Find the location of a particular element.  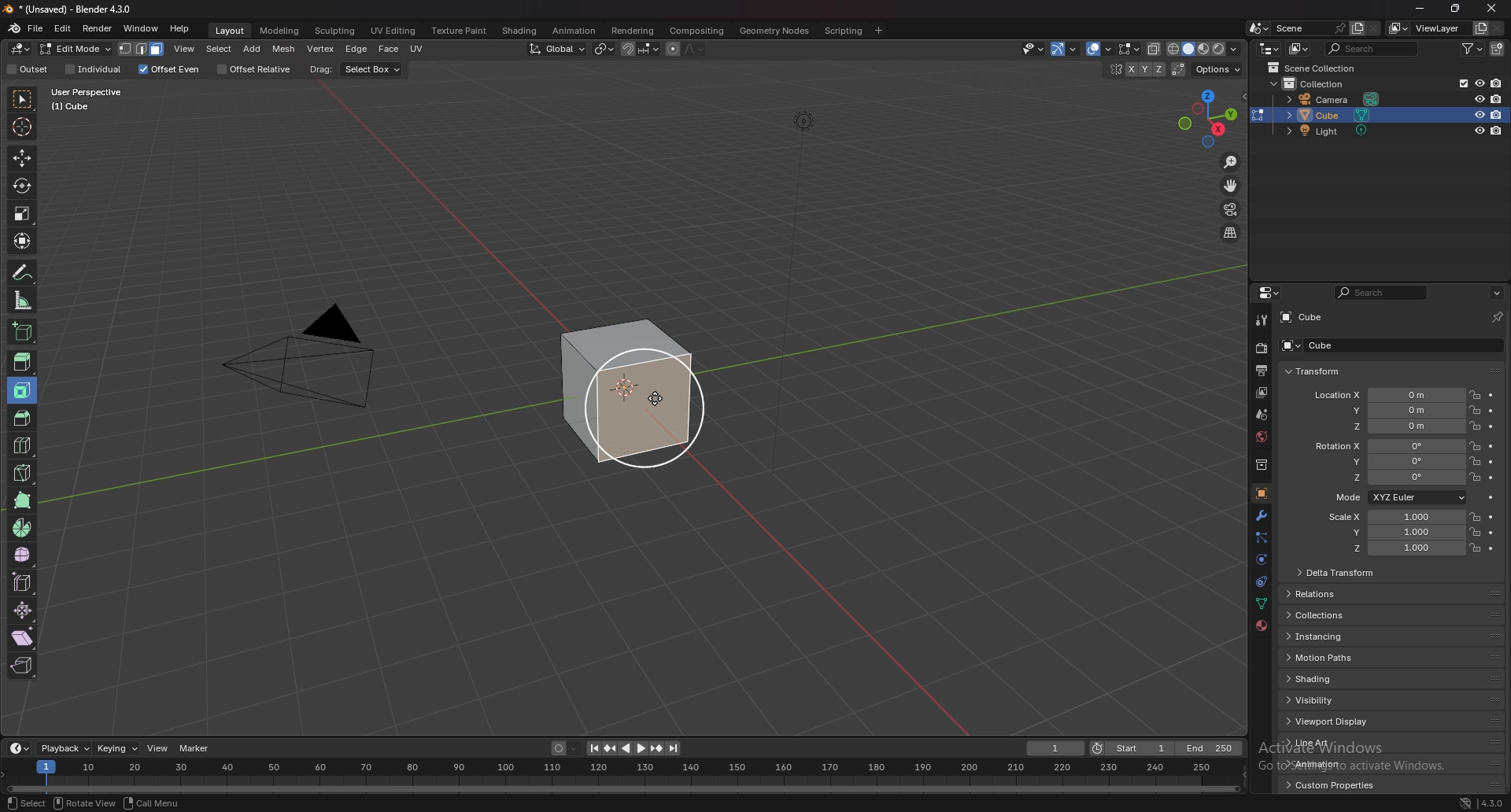

selector is located at coordinates (23, 99).